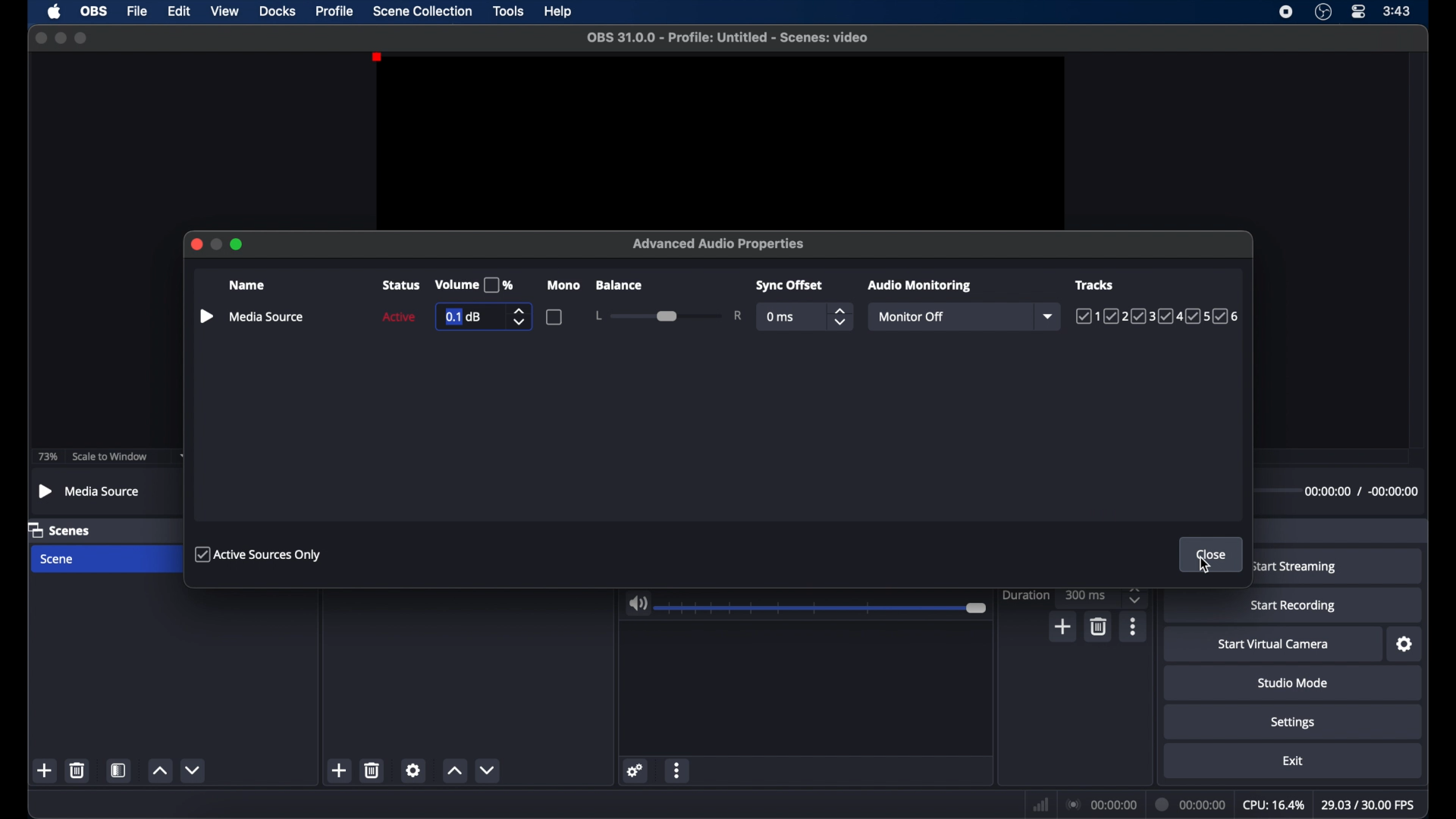 Image resolution: width=1456 pixels, height=819 pixels. Describe the element at coordinates (413, 770) in the screenshot. I see `settings` at that location.